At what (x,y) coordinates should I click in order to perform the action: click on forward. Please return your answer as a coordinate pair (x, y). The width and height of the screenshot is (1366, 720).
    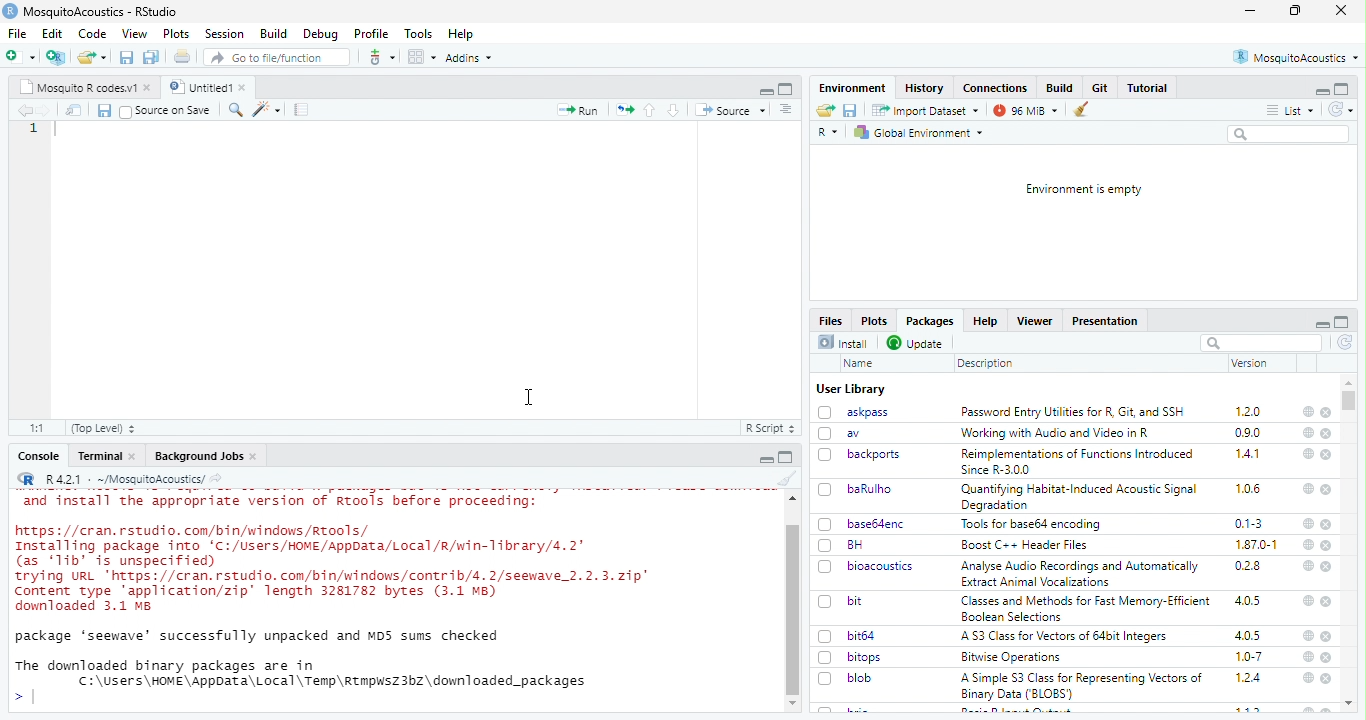
    Looking at the image, I should click on (45, 111).